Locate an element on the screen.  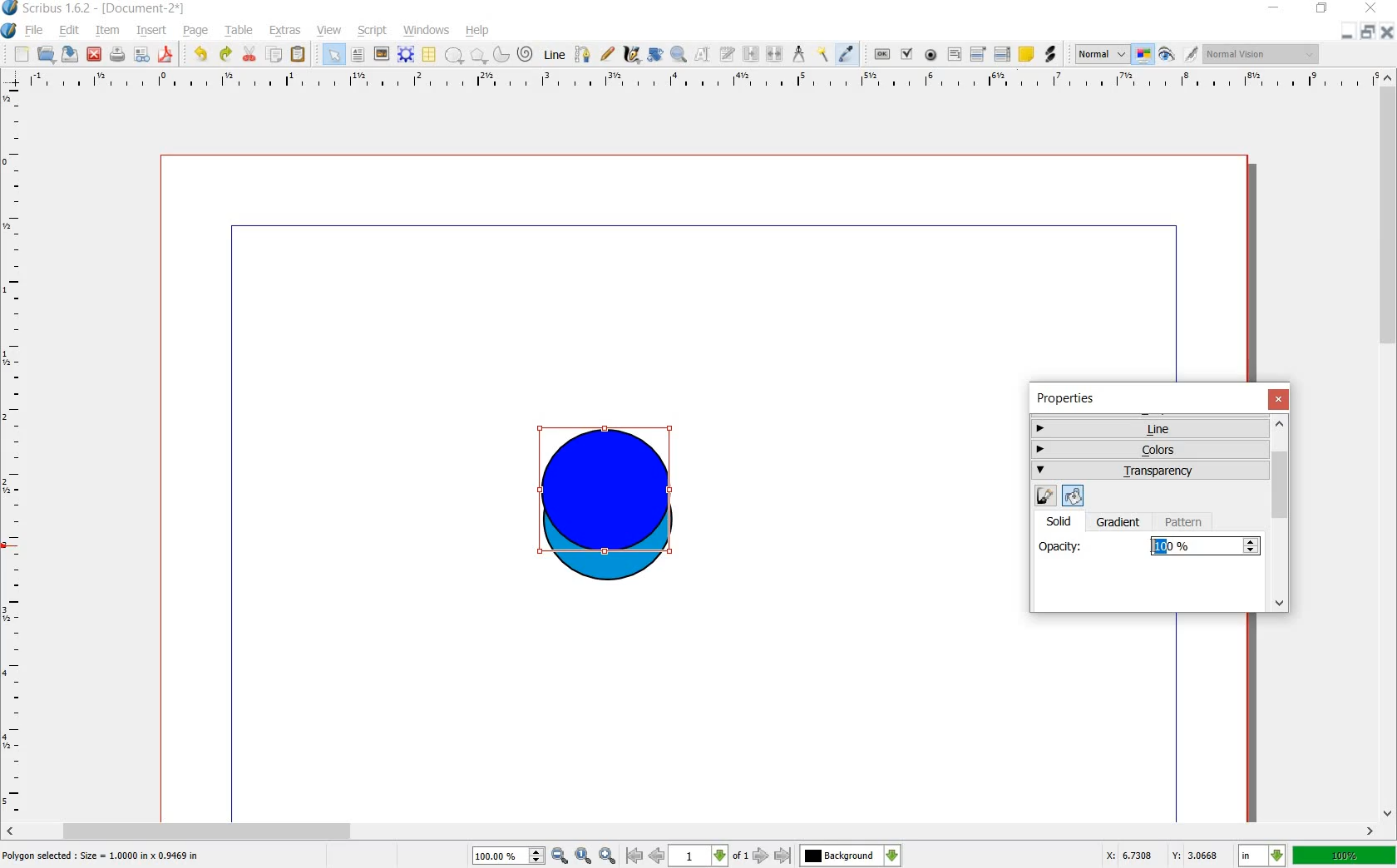
opacity is located at coordinates (1061, 545).